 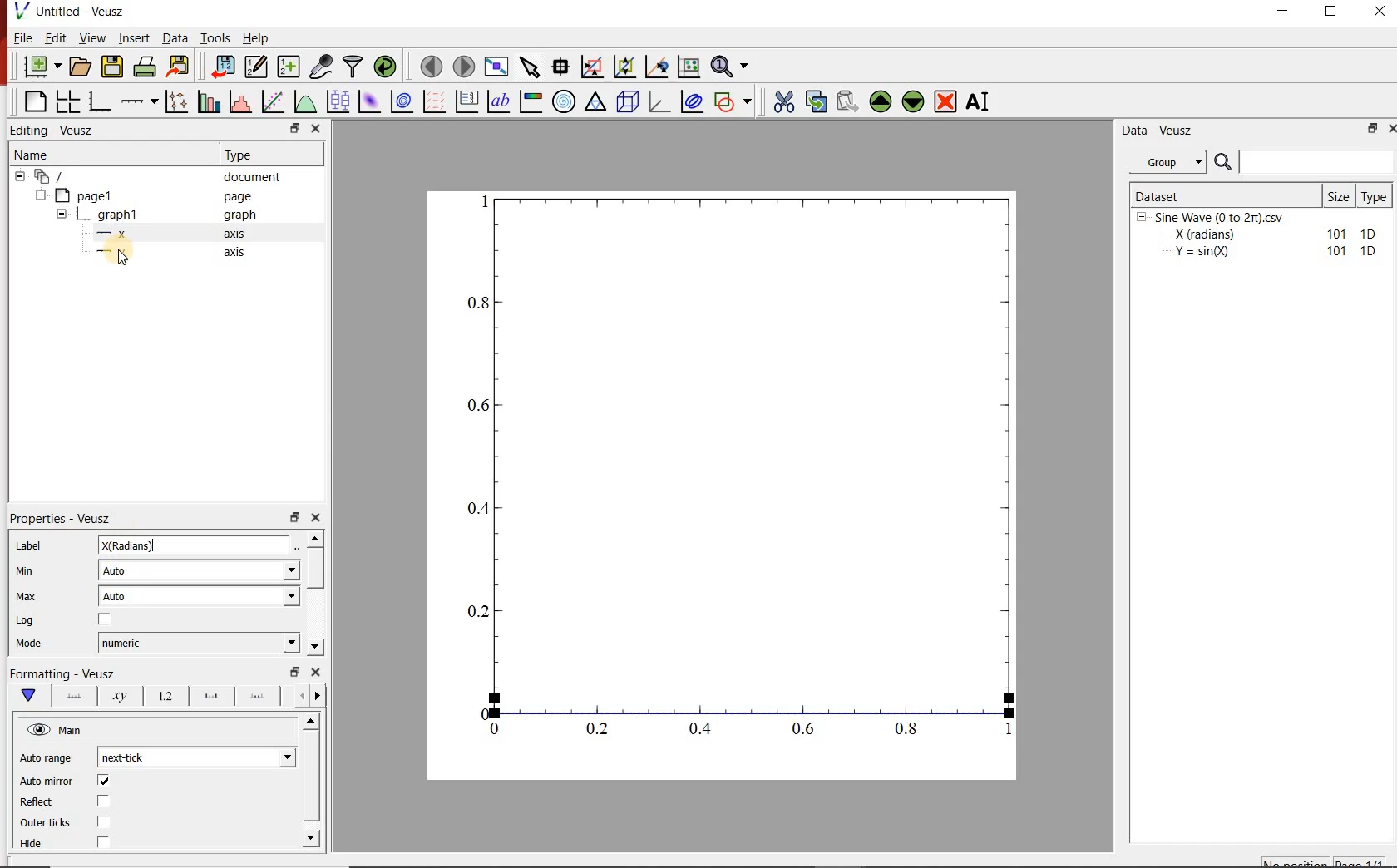 What do you see at coordinates (243, 153) in the screenshot?
I see `Type` at bounding box center [243, 153].